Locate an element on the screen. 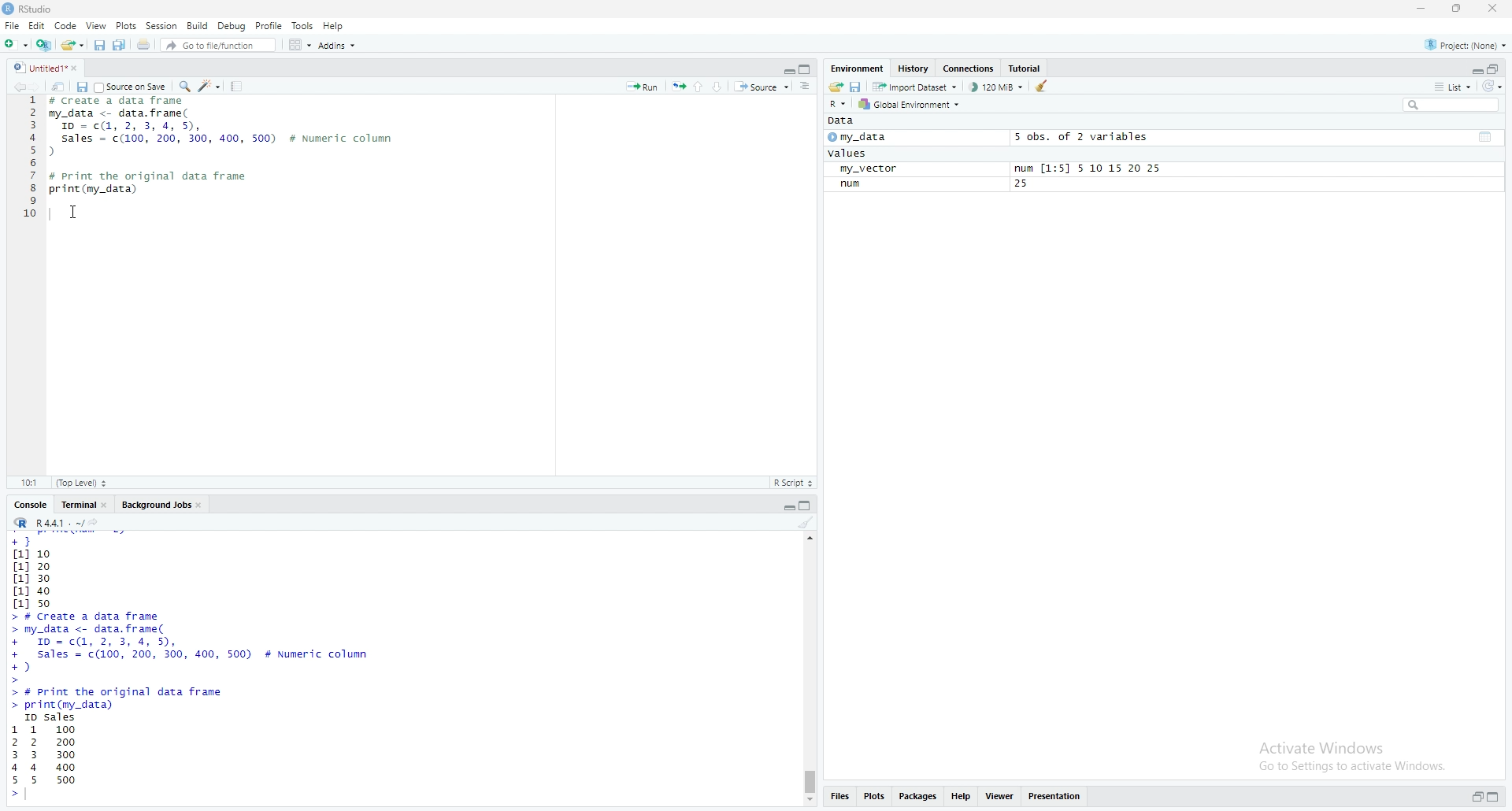 This screenshot has height=811, width=1512. Background jobs is located at coordinates (157, 506).